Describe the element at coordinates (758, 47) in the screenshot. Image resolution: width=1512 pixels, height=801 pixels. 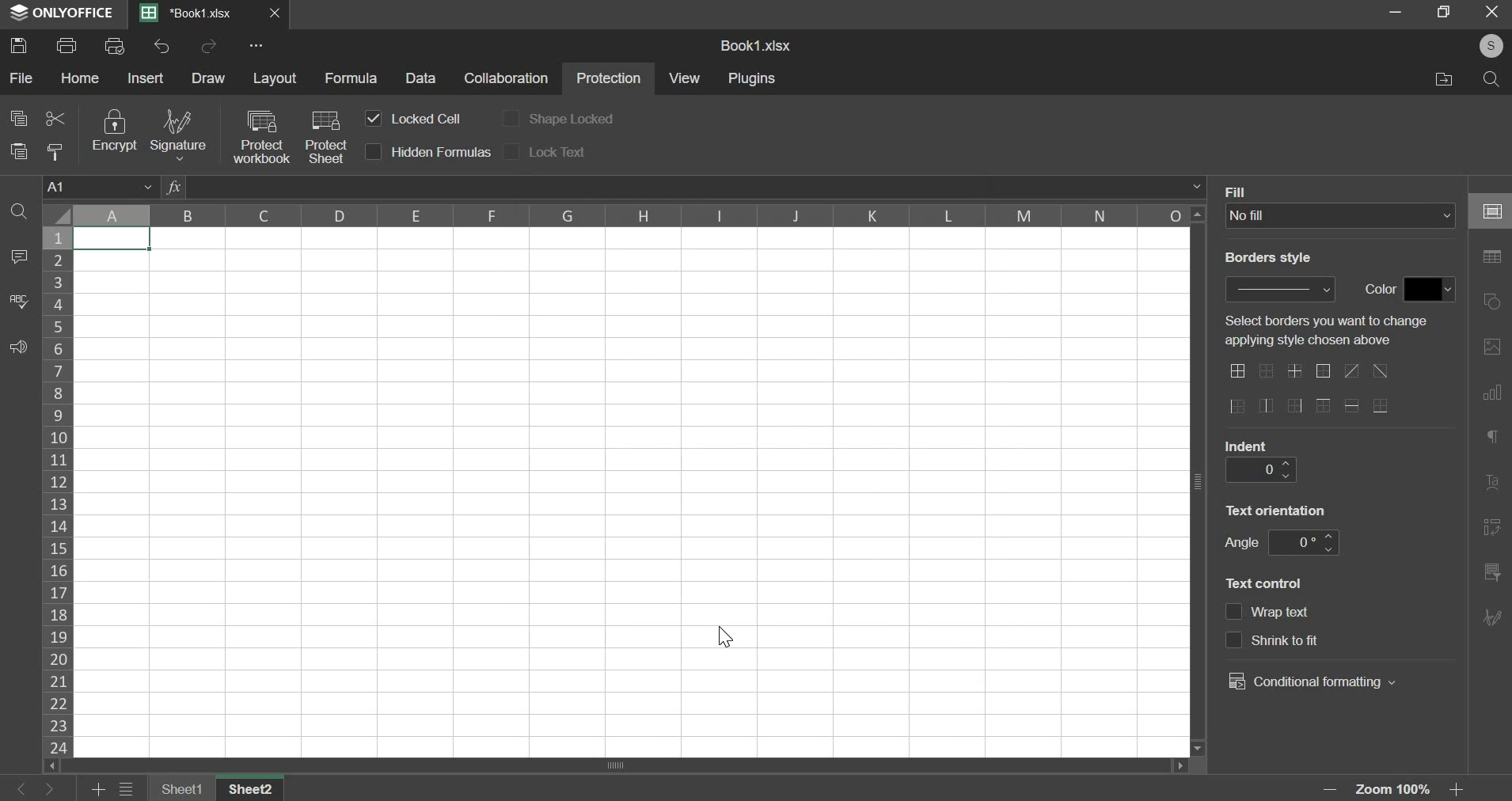
I see `Book1.xlsx` at that location.